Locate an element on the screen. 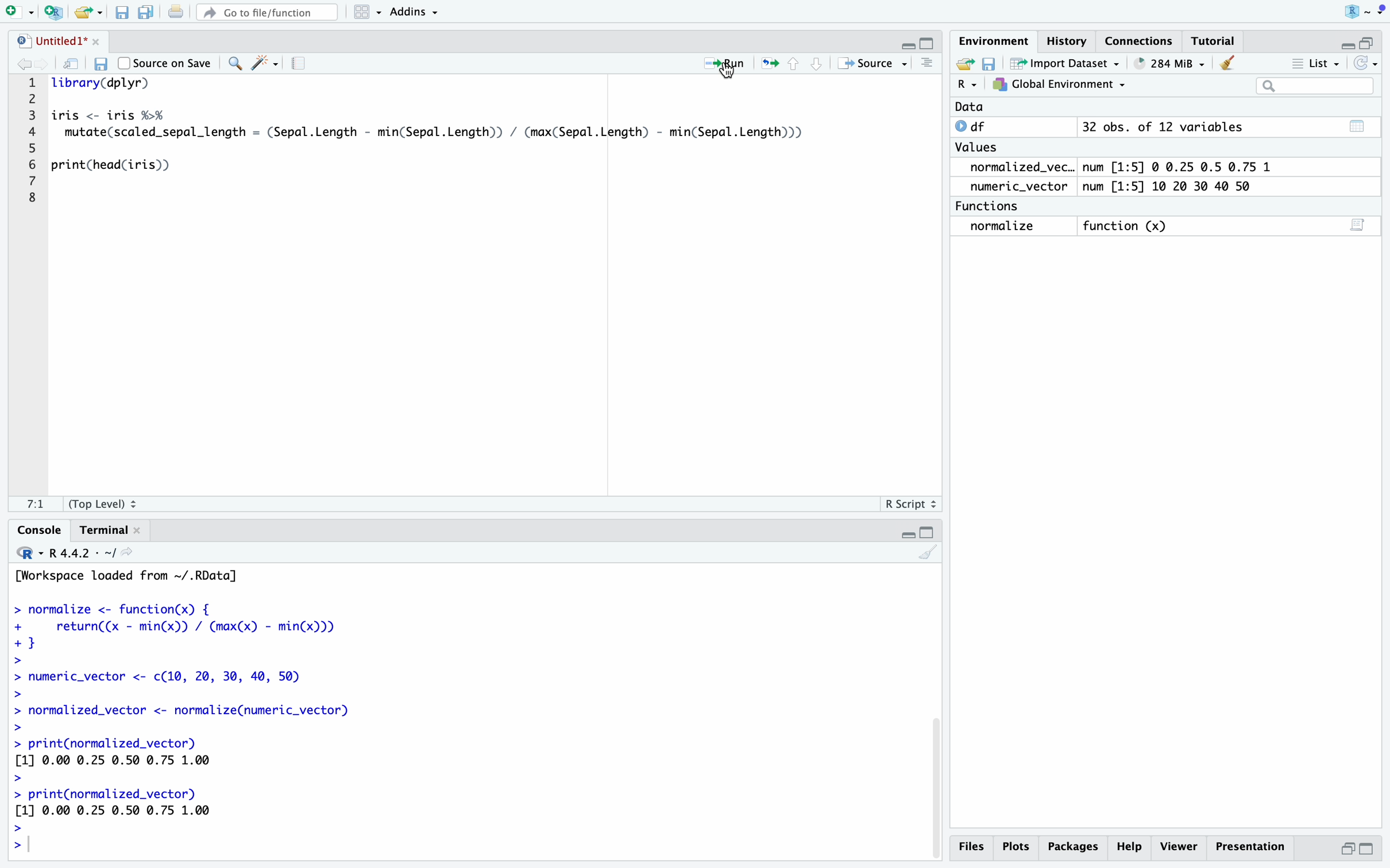  Viewer is located at coordinates (1180, 845).